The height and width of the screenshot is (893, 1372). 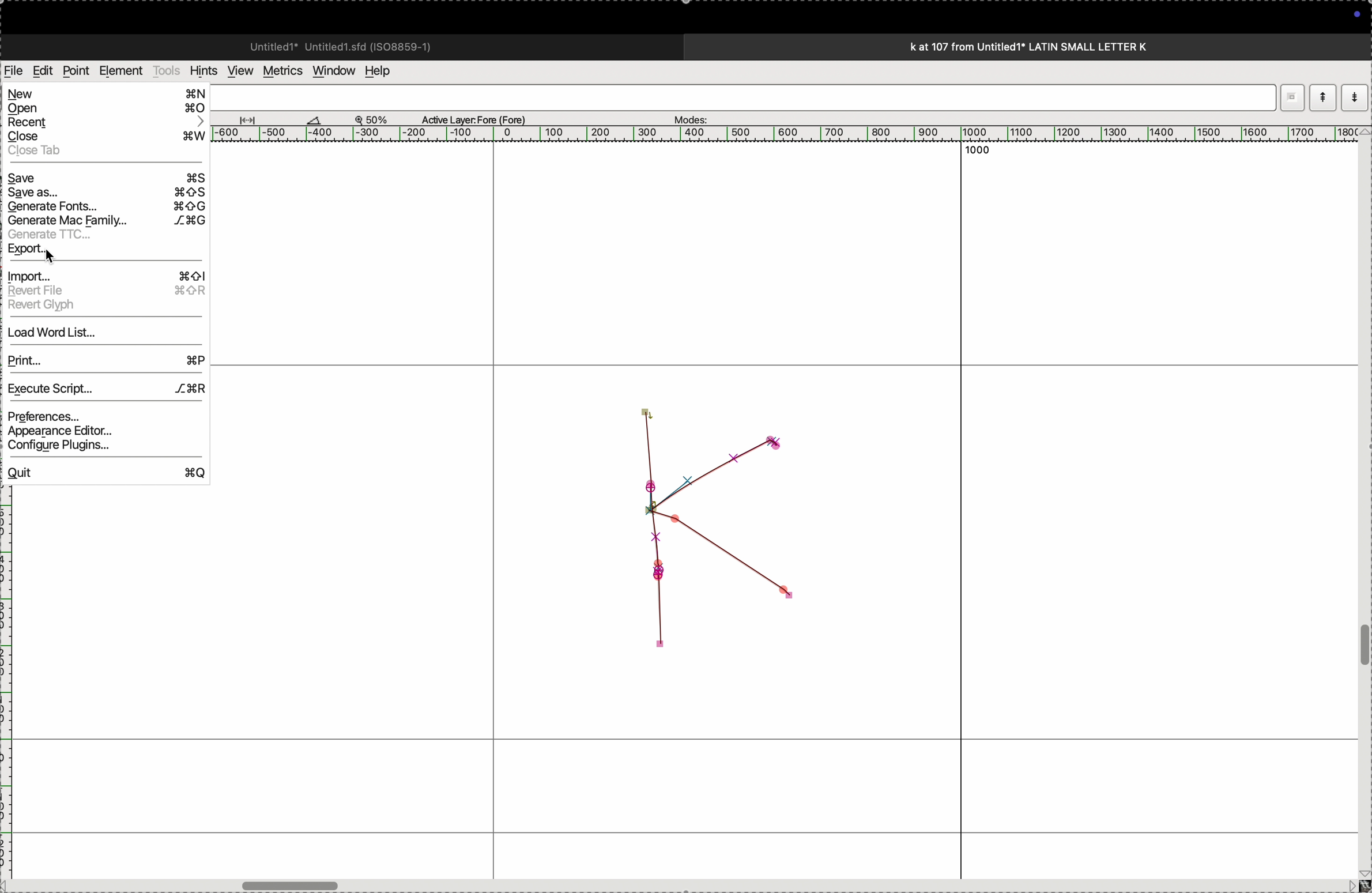 What do you see at coordinates (154, 118) in the screenshot?
I see `cursor` at bounding box center [154, 118].